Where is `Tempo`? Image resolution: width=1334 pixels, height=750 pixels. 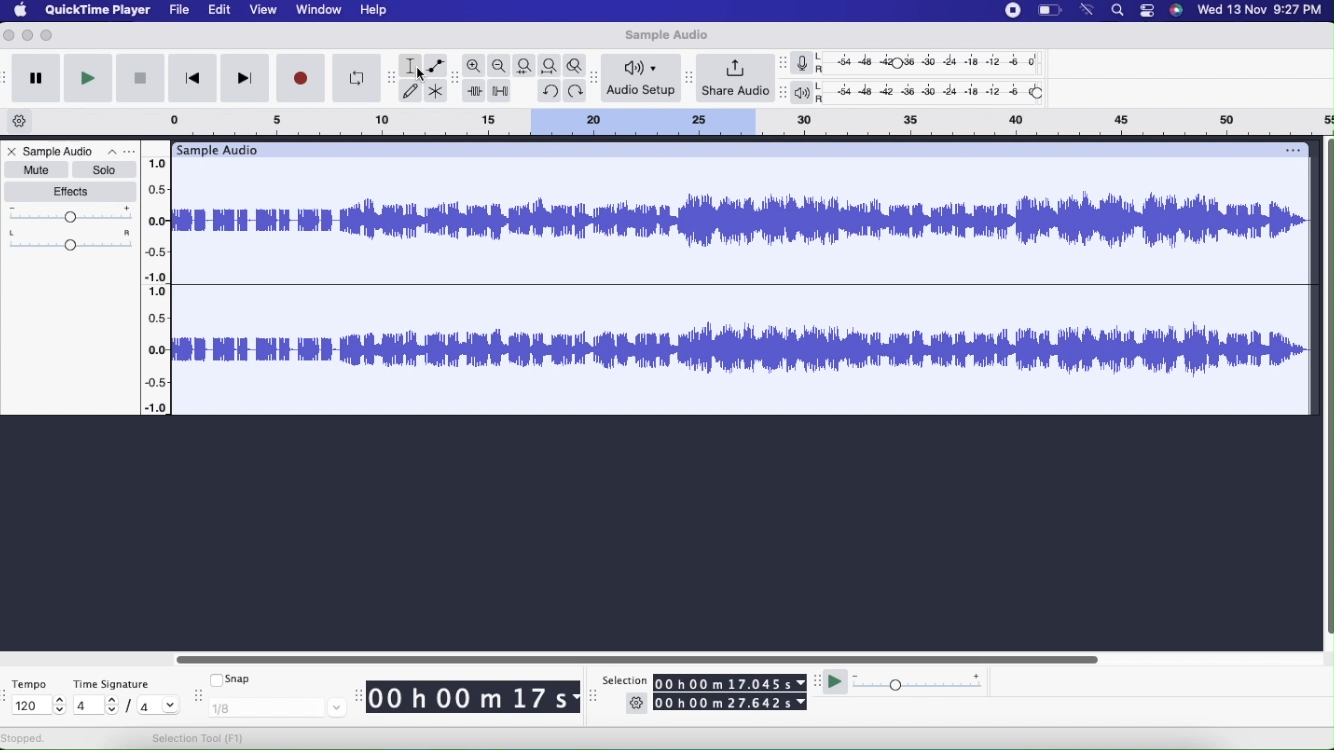 Tempo is located at coordinates (34, 682).